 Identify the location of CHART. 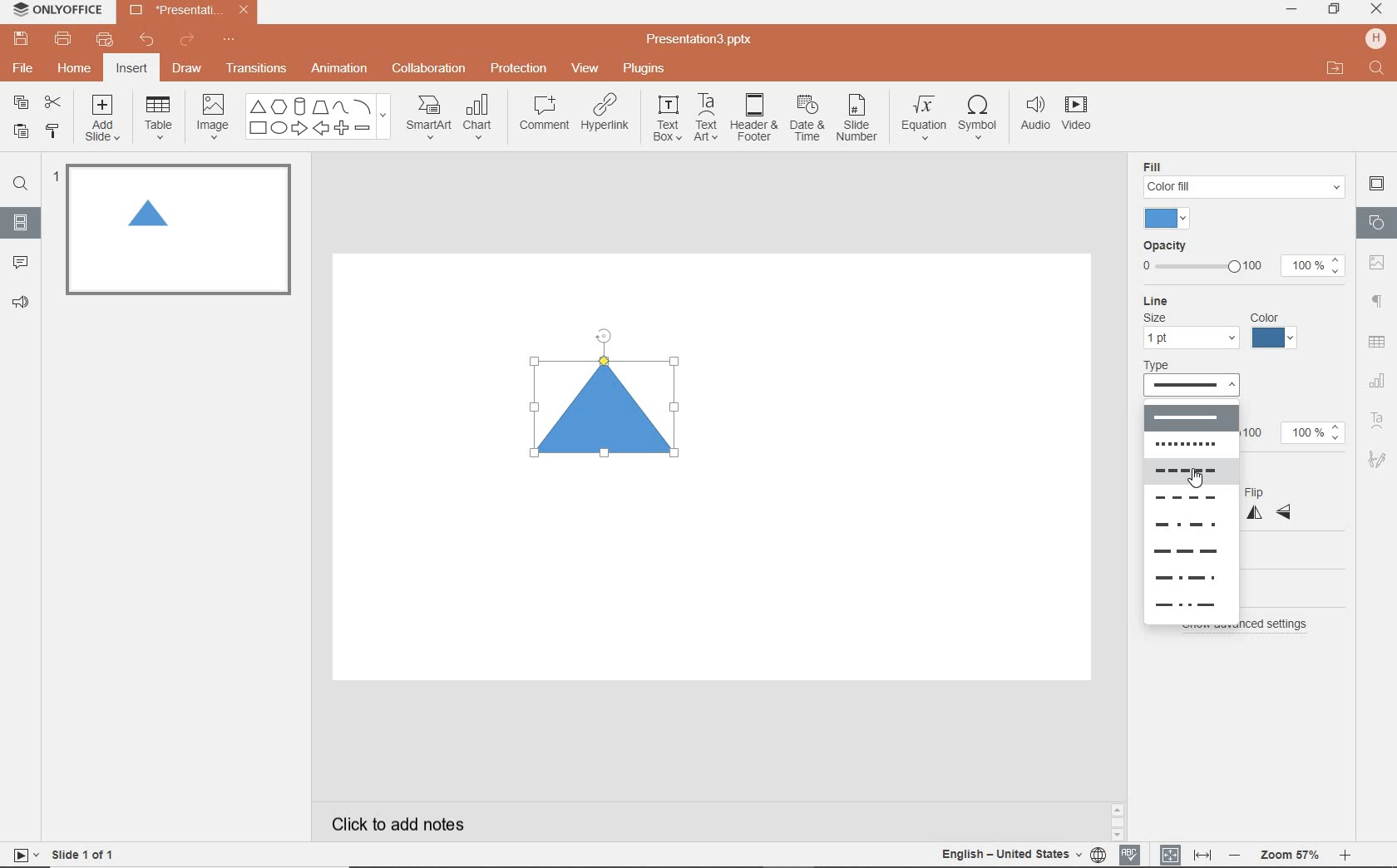
(480, 118).